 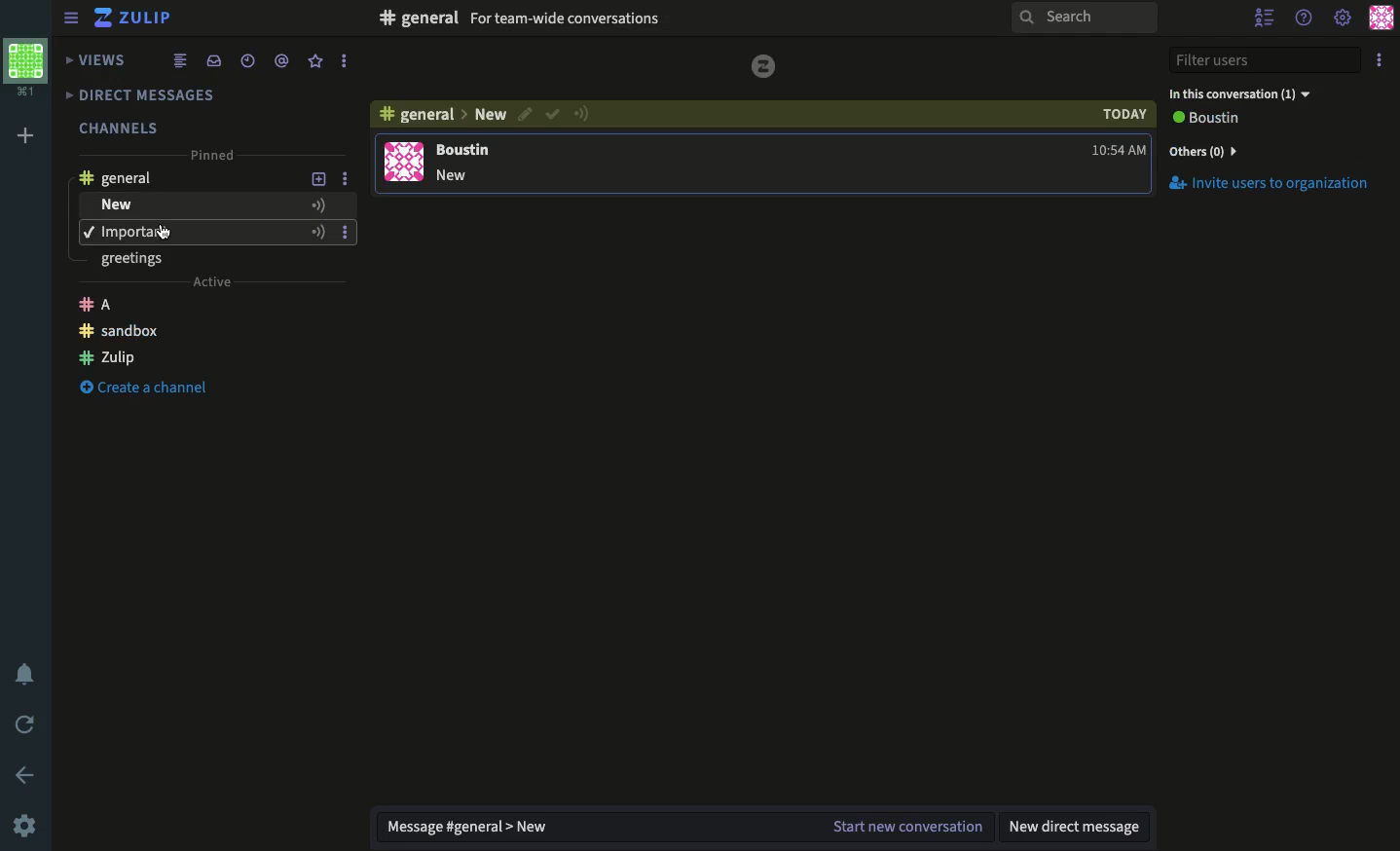 I want to click on Menu, so click(x=72, y=17).